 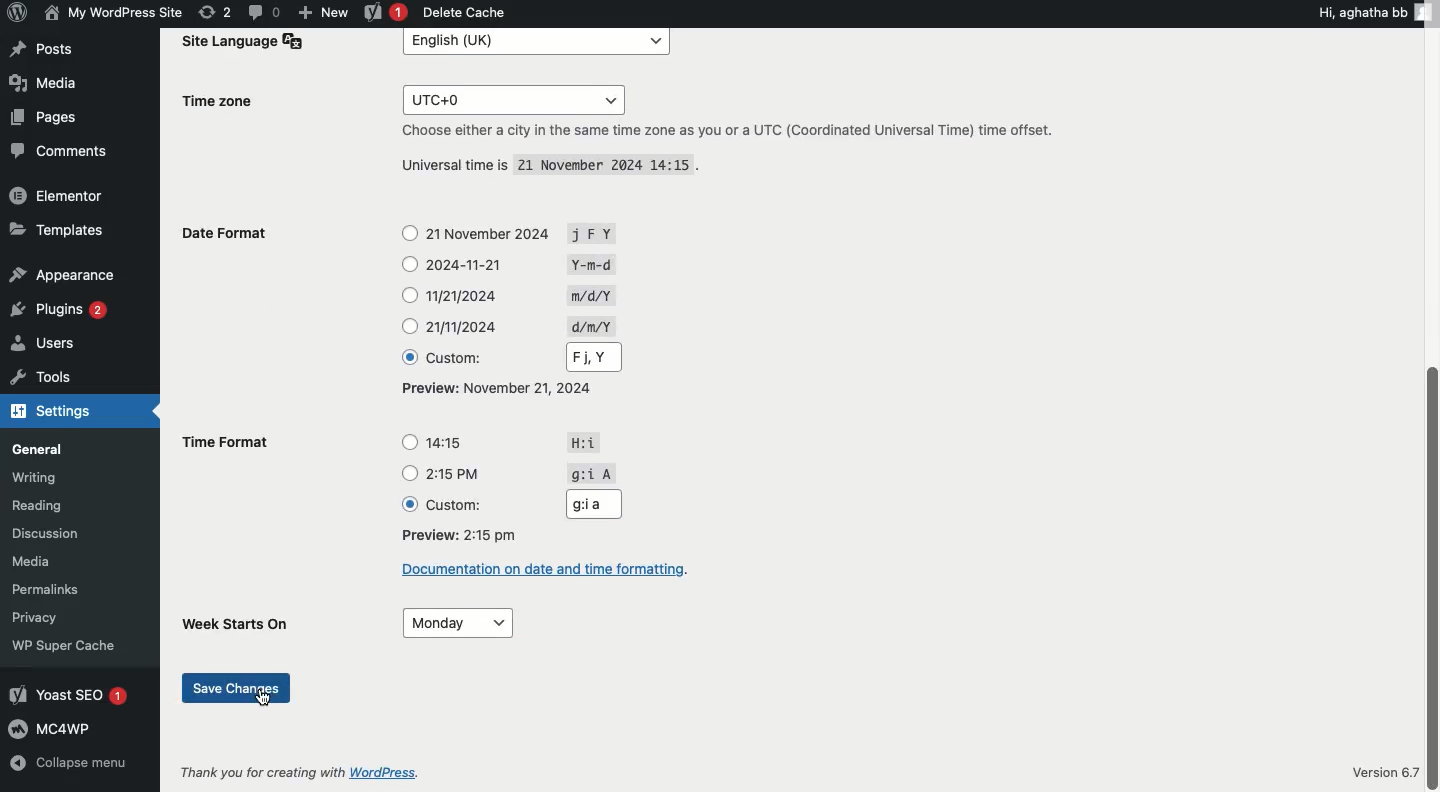 I want to click on  21November2024 J F Y, so click(x=516, y=231).